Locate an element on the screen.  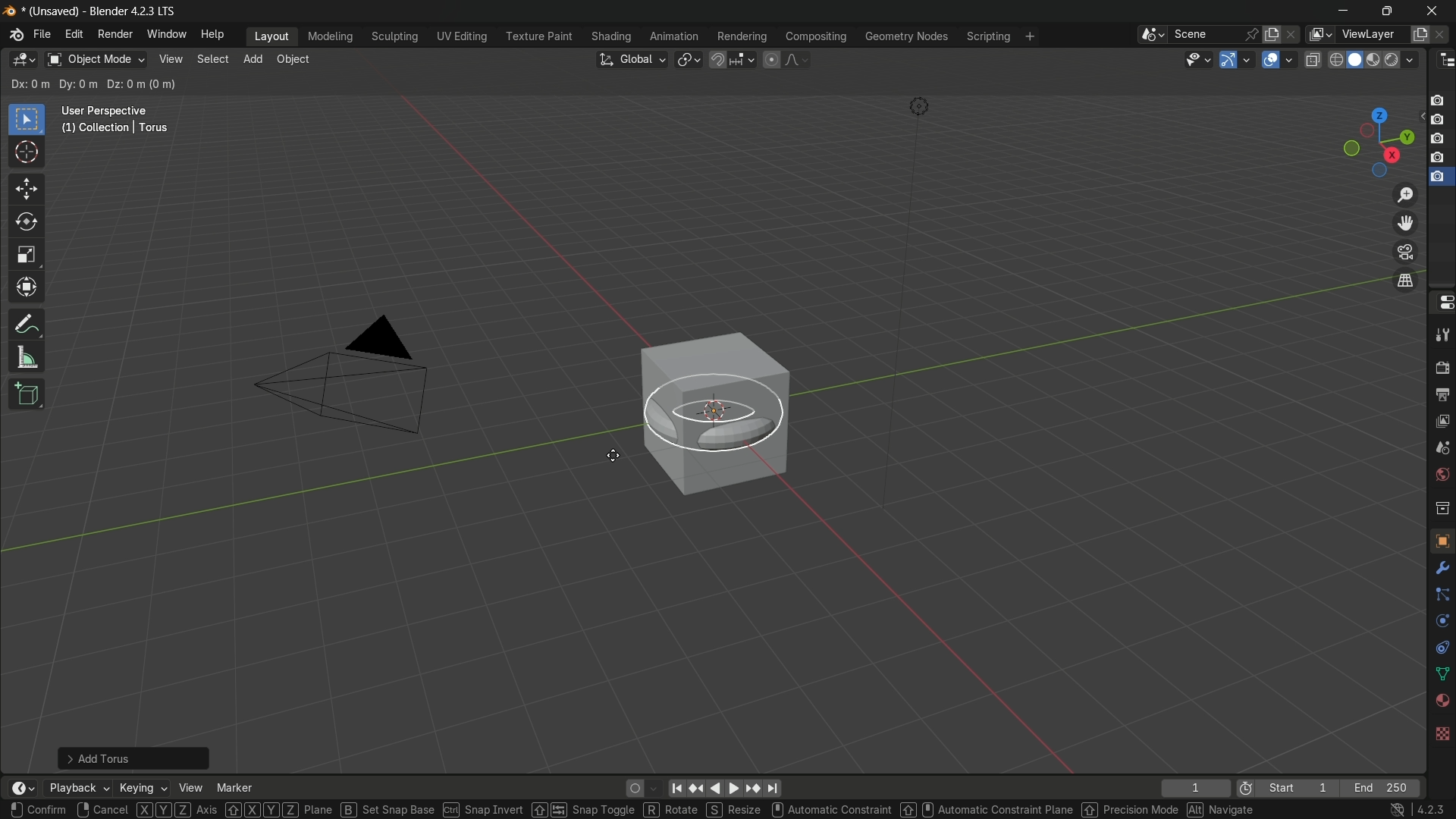
object is located at coordinates (293, 59).